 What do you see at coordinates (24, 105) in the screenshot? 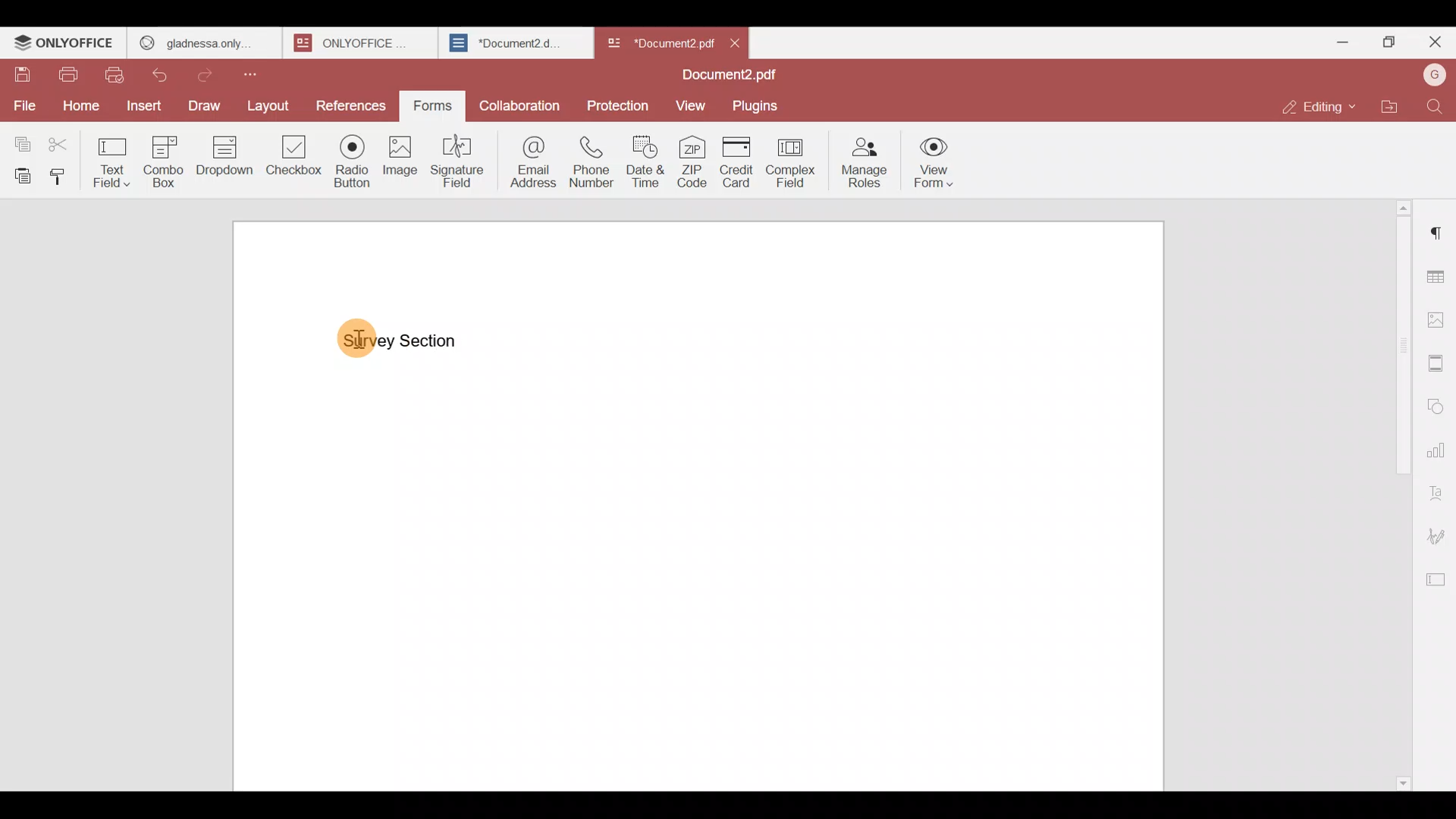
I see `File` at bounding box center [24, 105].